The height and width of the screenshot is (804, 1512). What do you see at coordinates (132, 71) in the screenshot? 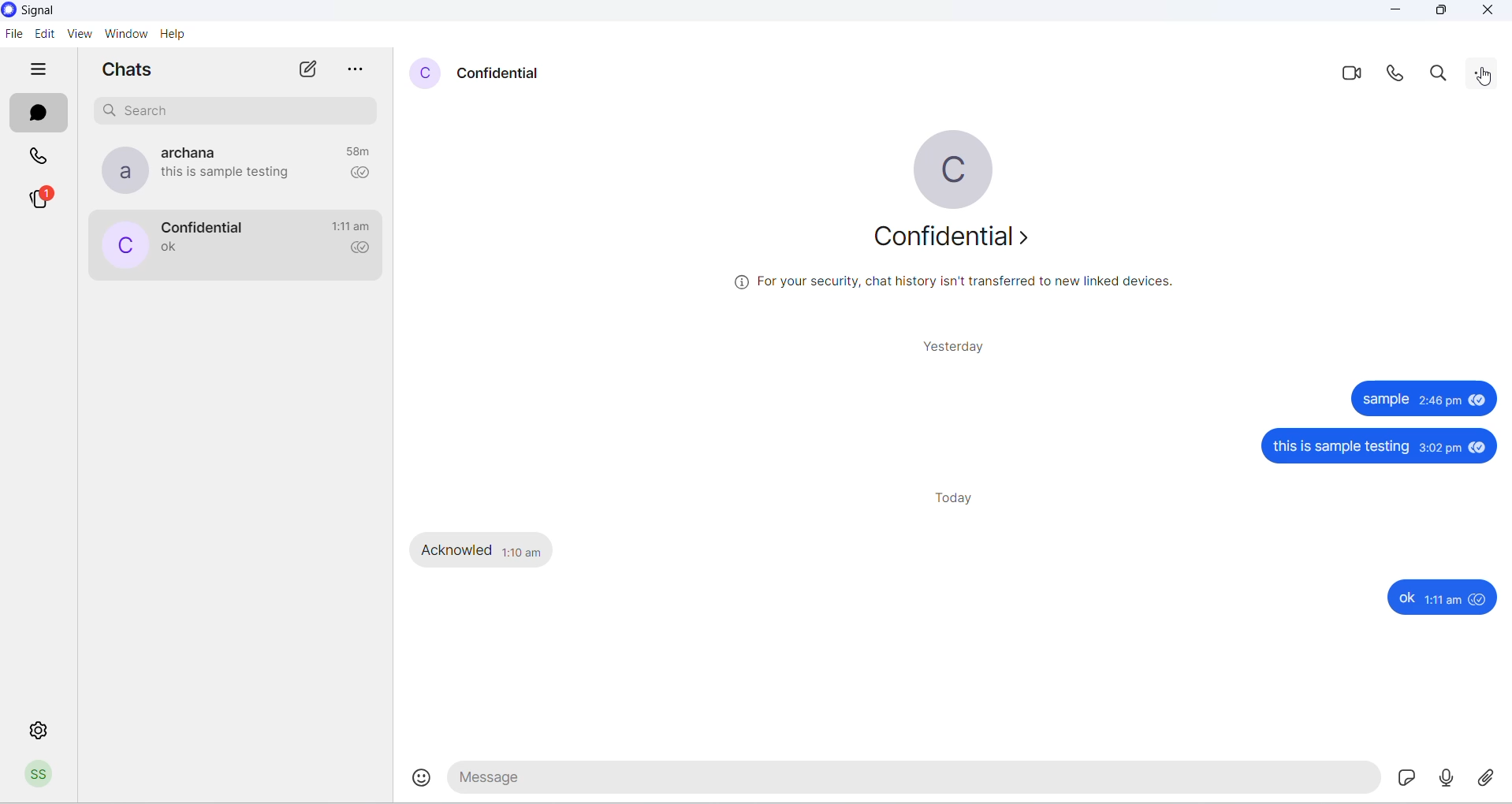
I see `chats heading` at bounding box center [132, 71].